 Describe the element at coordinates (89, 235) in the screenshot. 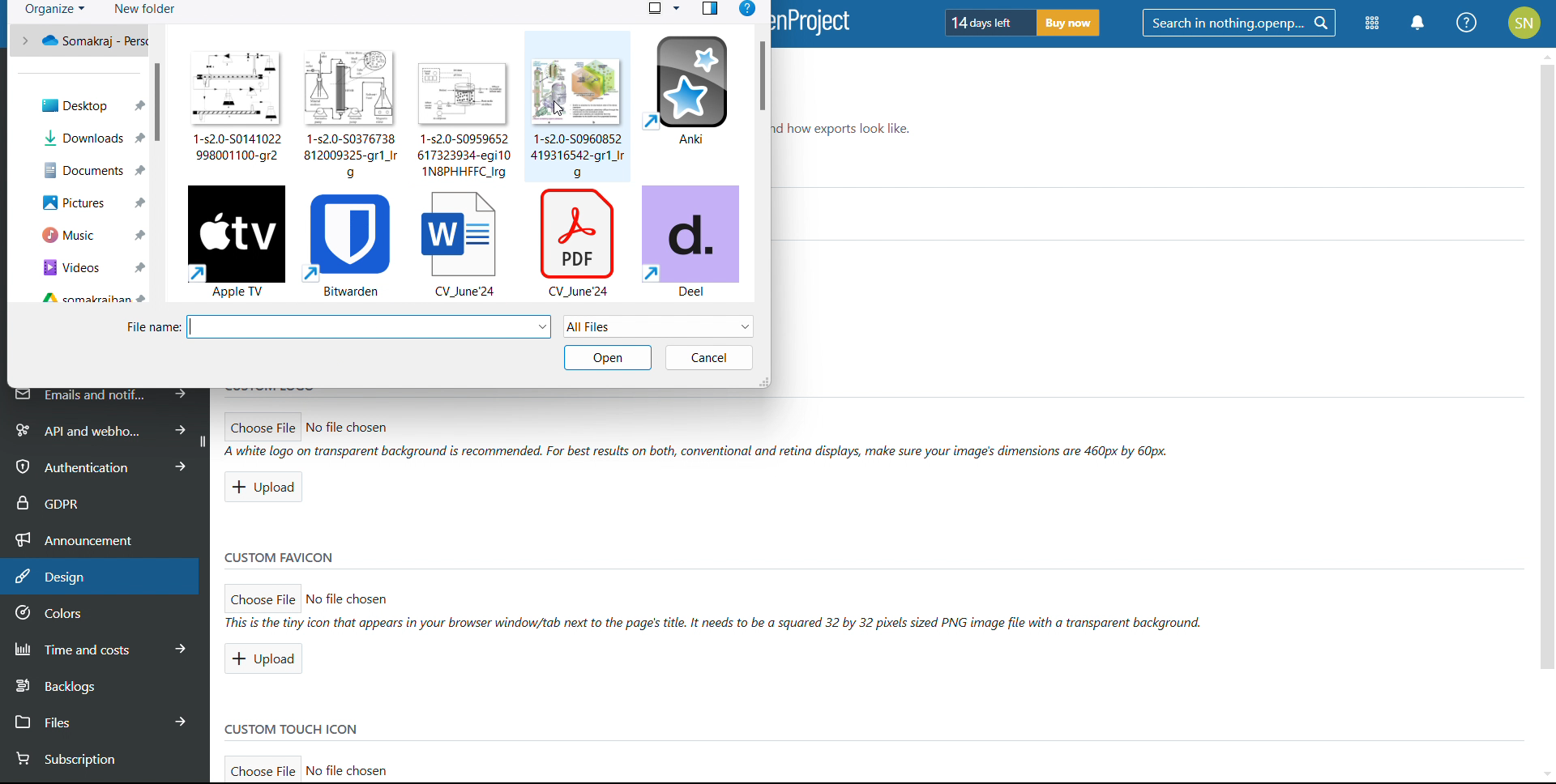

I see `Music ` at that location.